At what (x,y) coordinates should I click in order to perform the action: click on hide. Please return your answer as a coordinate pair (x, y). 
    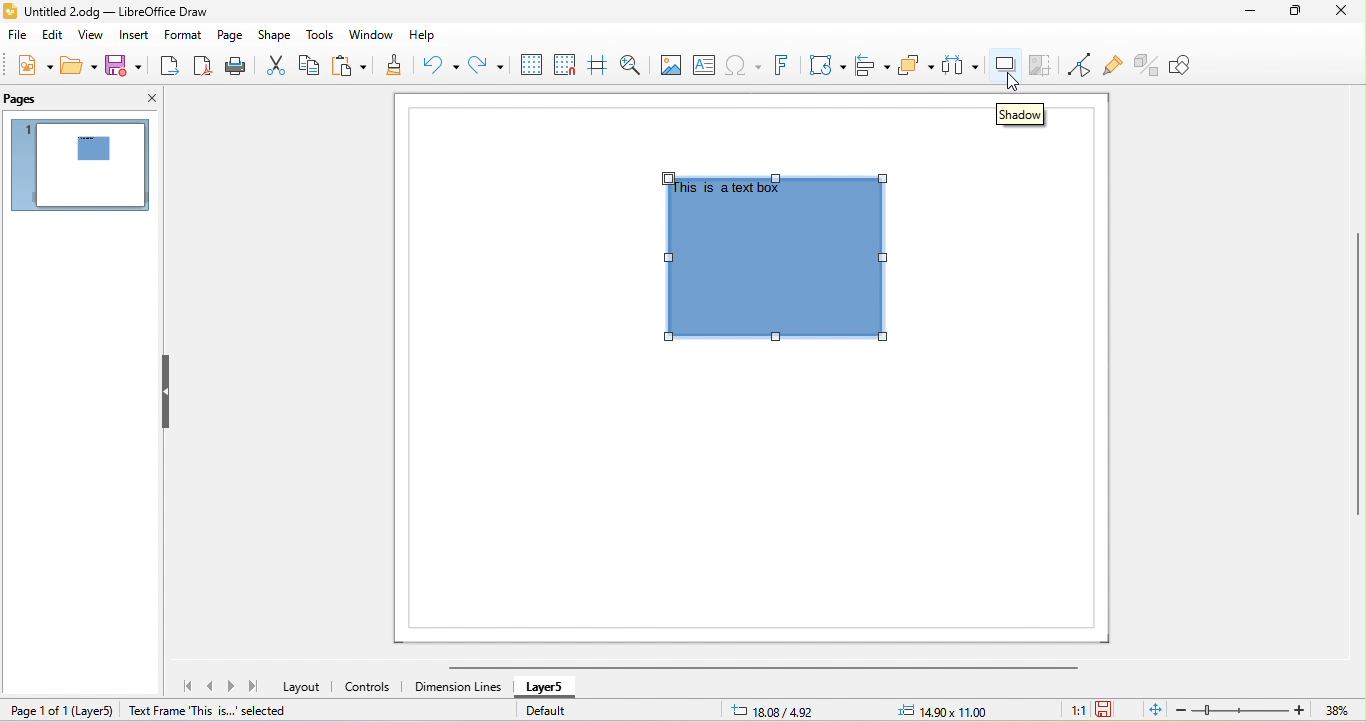
    Looking at the image, I should click on (166, 390).